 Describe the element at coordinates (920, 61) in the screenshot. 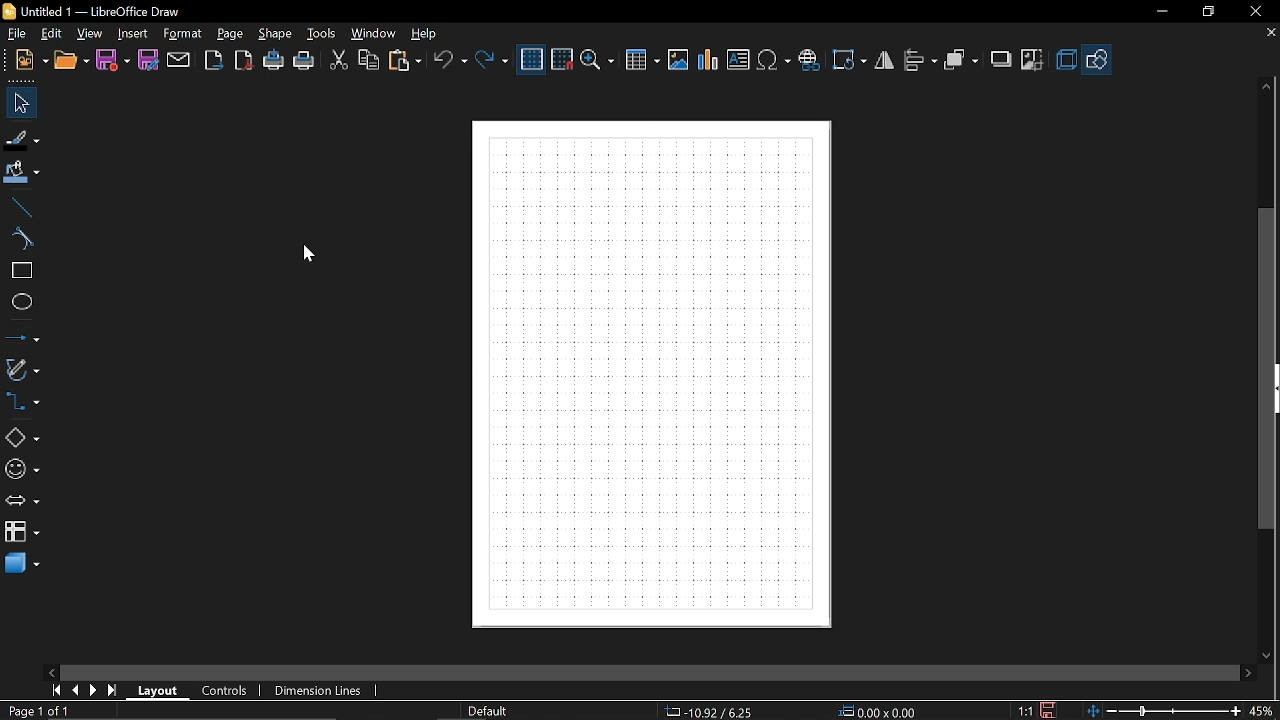

I see `Allign` at that location.